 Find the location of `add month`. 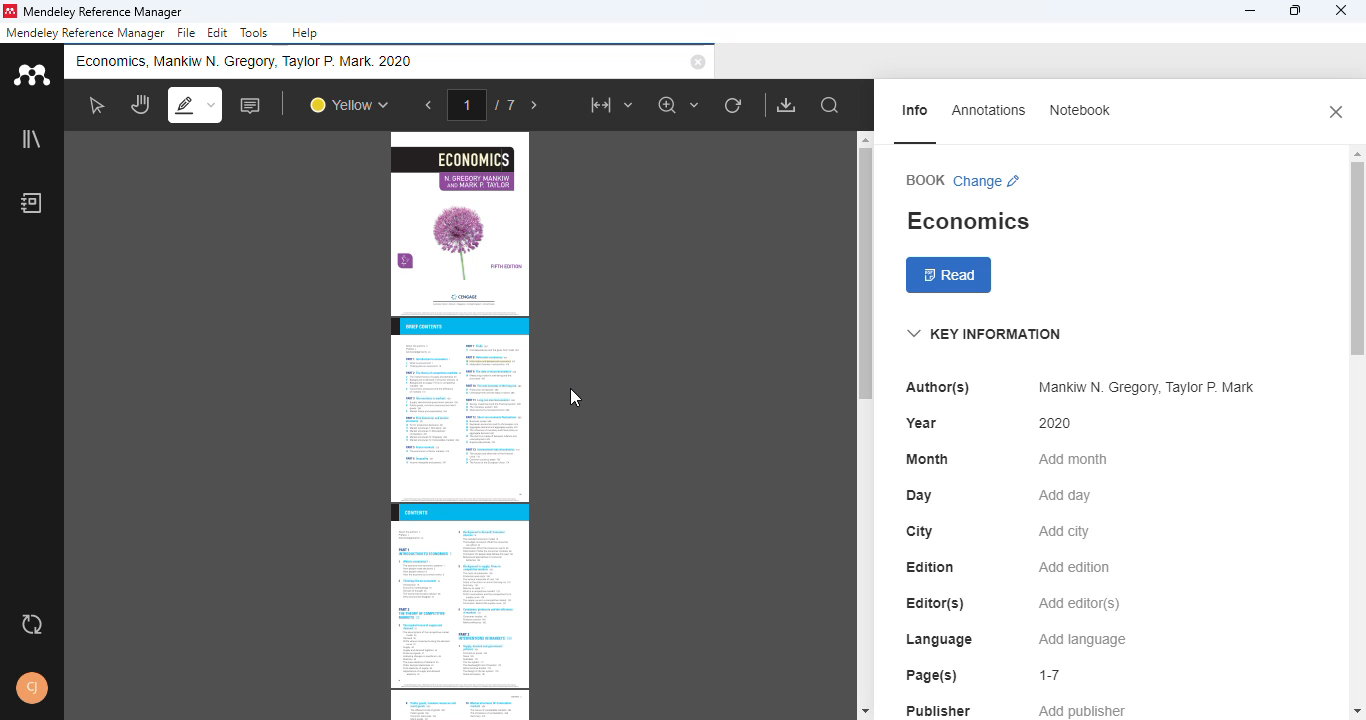

add month is located at coordinates (1071, 459).